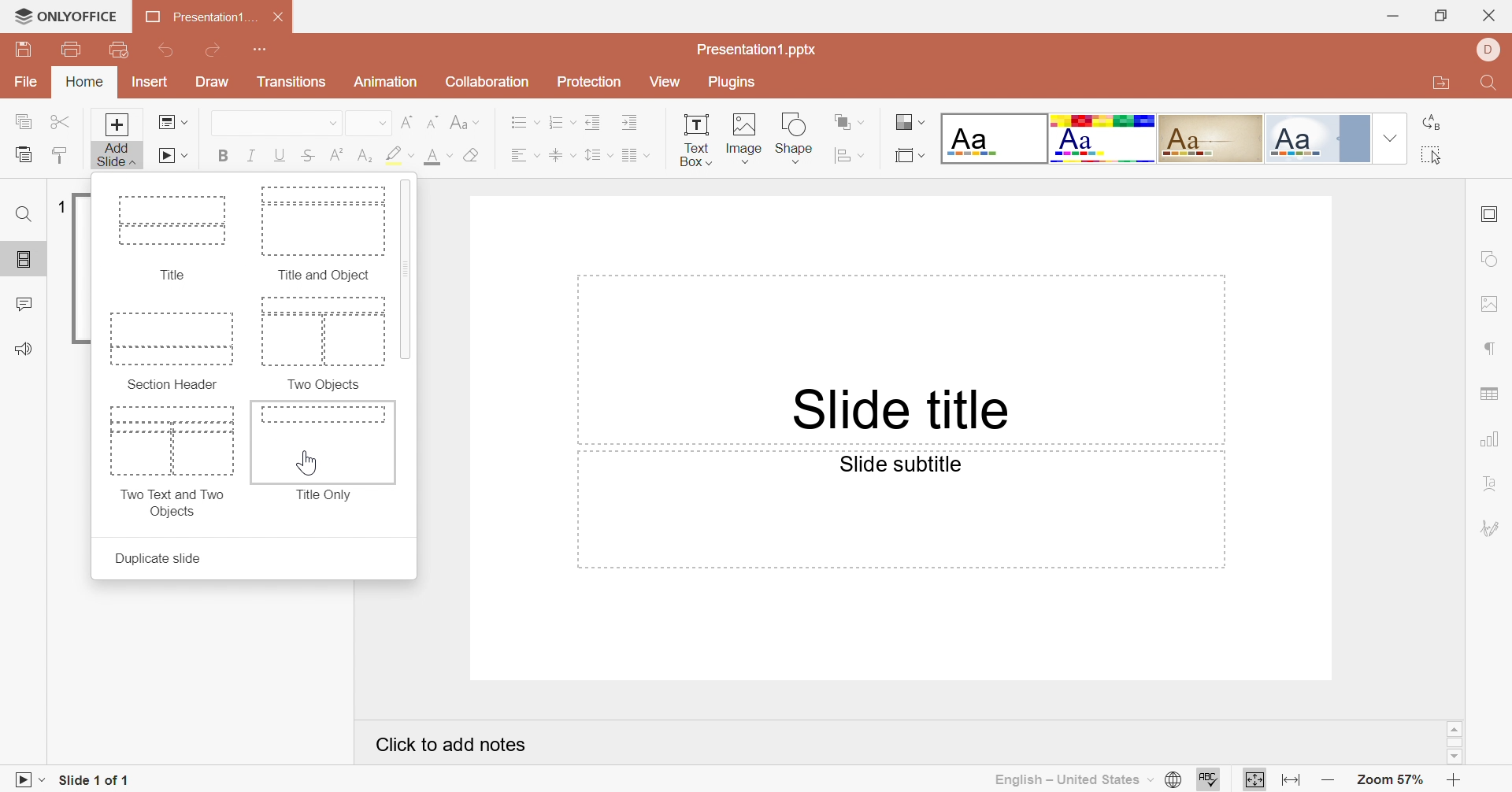 The height and width of the screenshot is (792, 1512). Describe the element at coordinates (908, 121) in the screenshot. I see `Change color theme` at that location.